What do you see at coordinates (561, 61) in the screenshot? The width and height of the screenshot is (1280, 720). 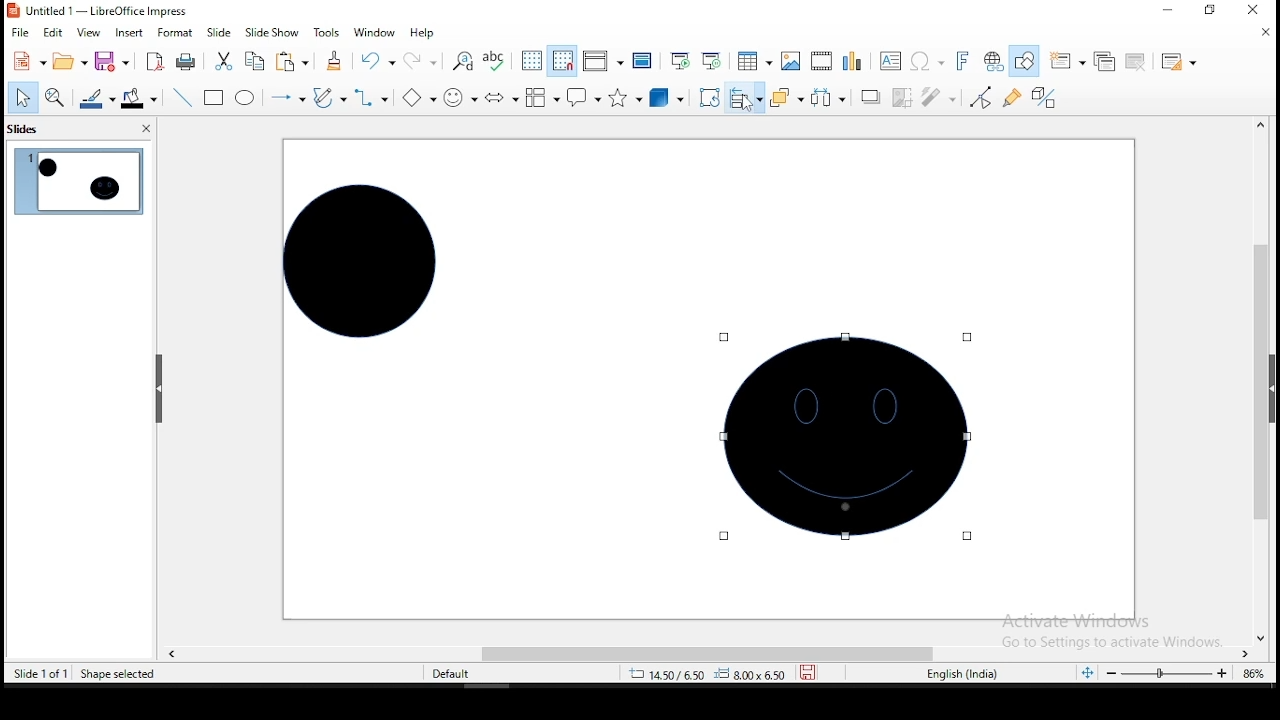 I see `snap to grid` at bounding box center [561, 61].